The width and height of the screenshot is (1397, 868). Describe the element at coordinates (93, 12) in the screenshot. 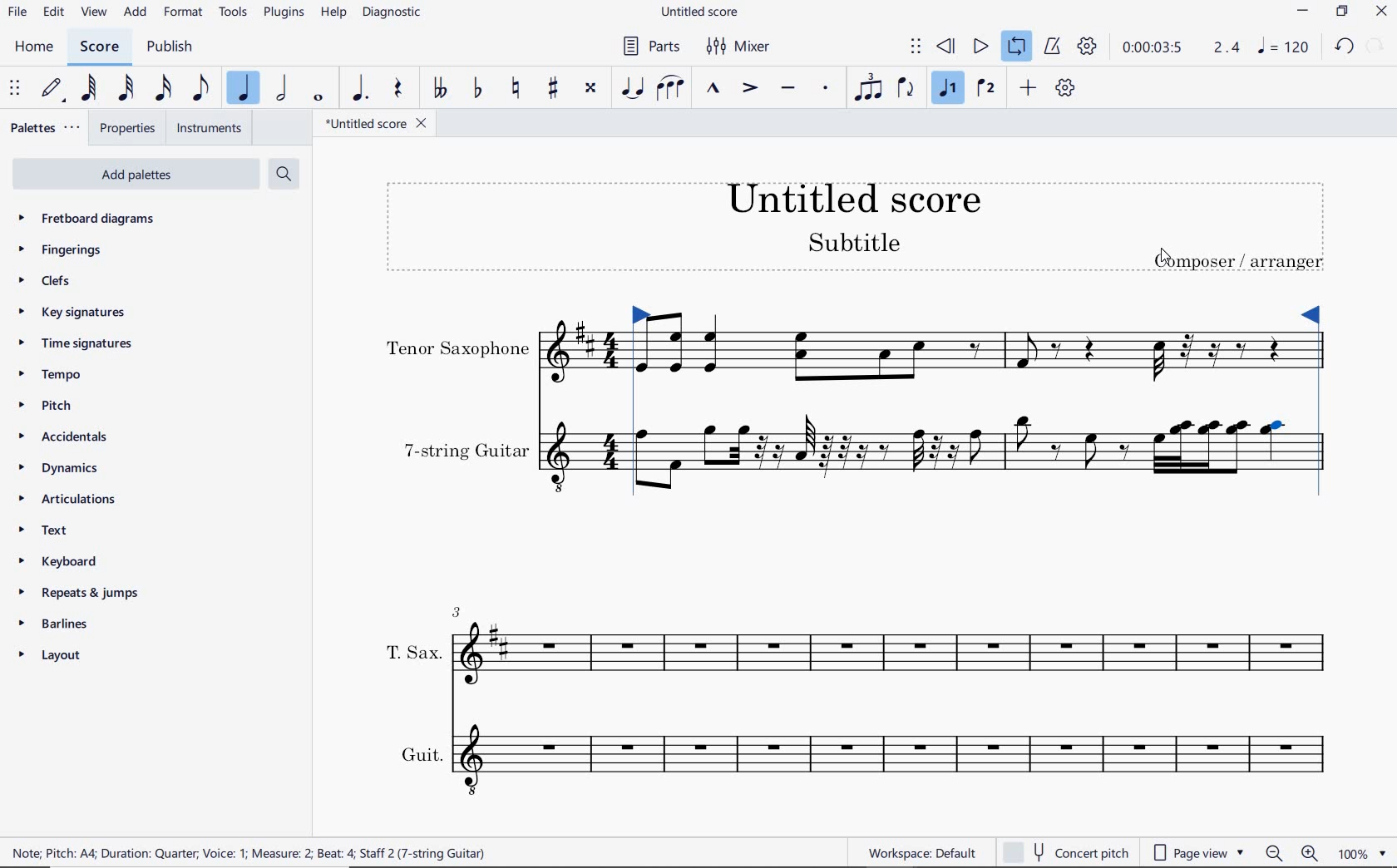

I see `VIEW` at that location.